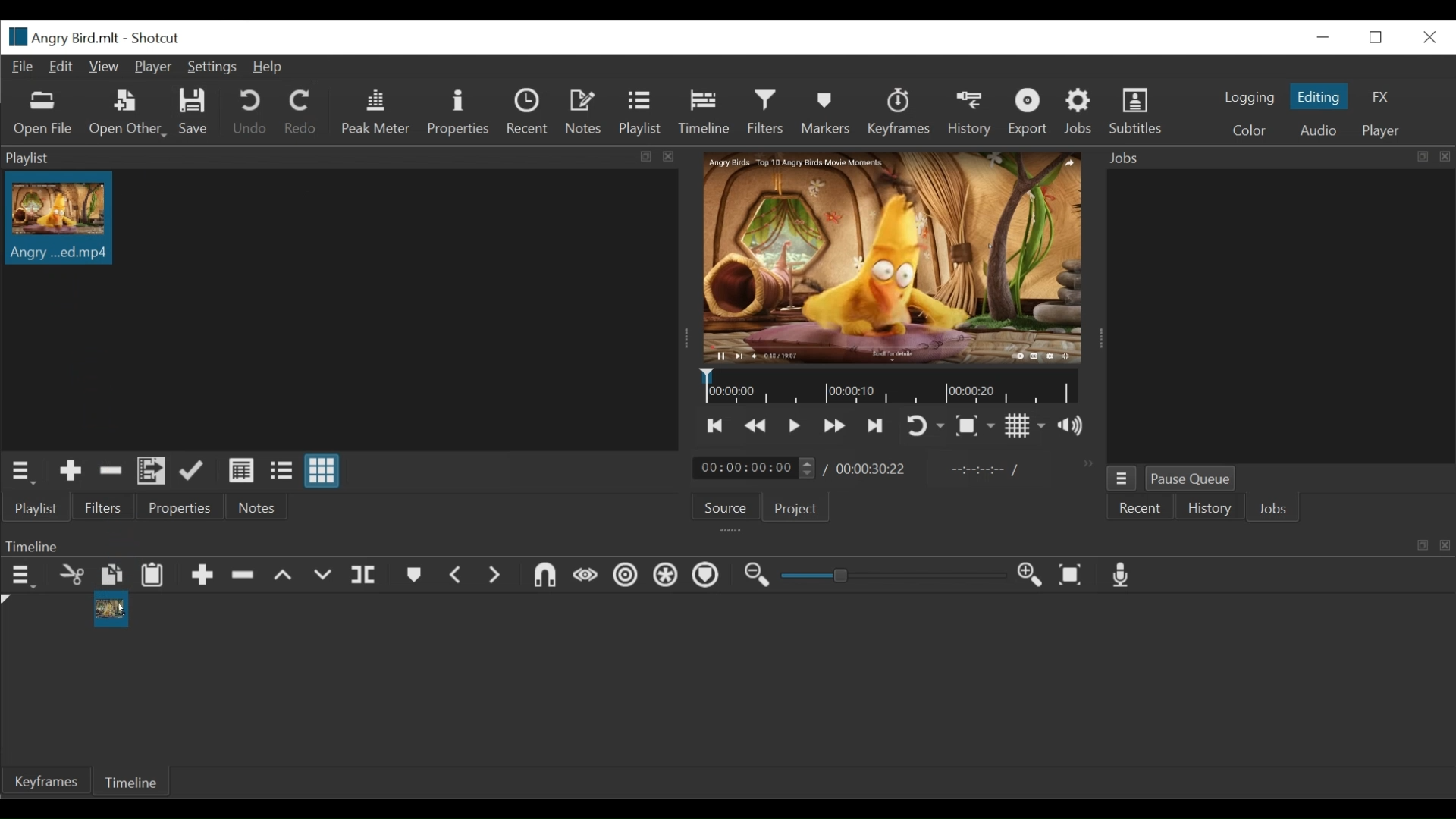 The width and height of the screenshot is (1456, 819). What do you see at coordinates (755, 468) in the screenshot?
I see `Current duration` at bounding box center [755, 468].